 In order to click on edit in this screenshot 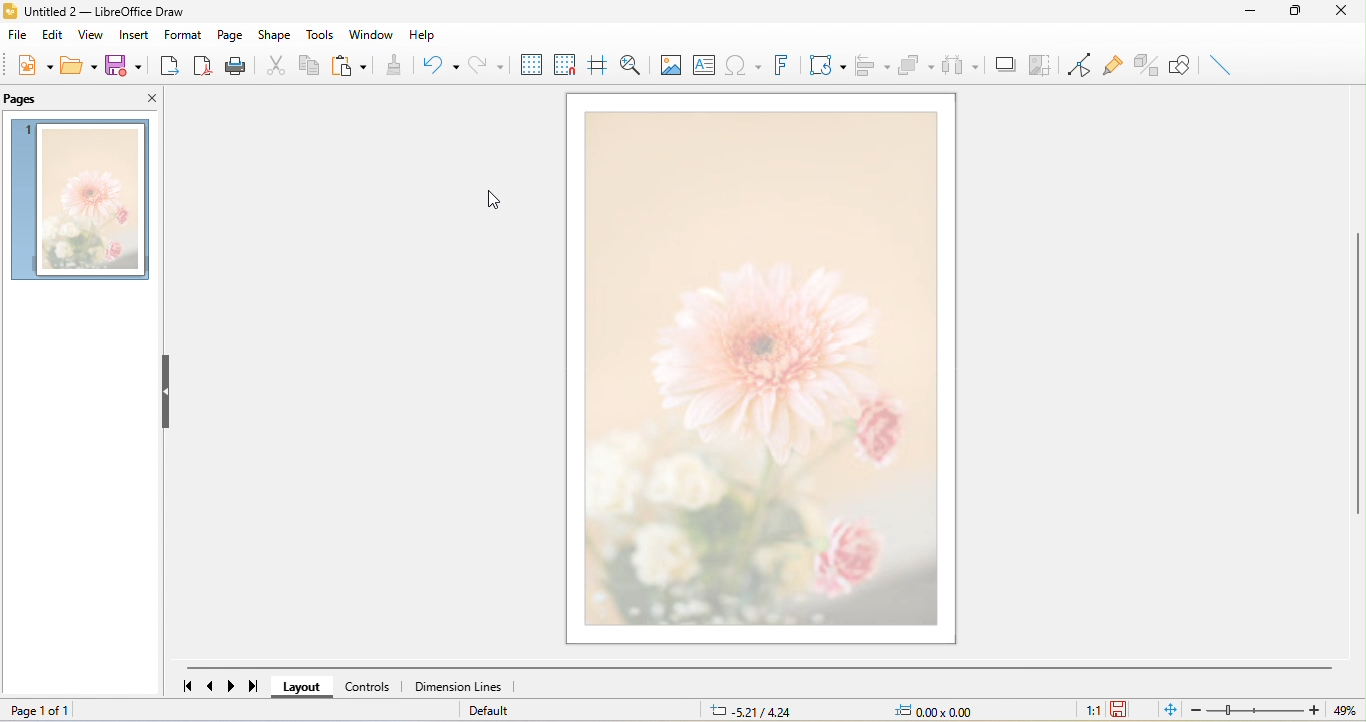, I will do `click(55, 34)`.